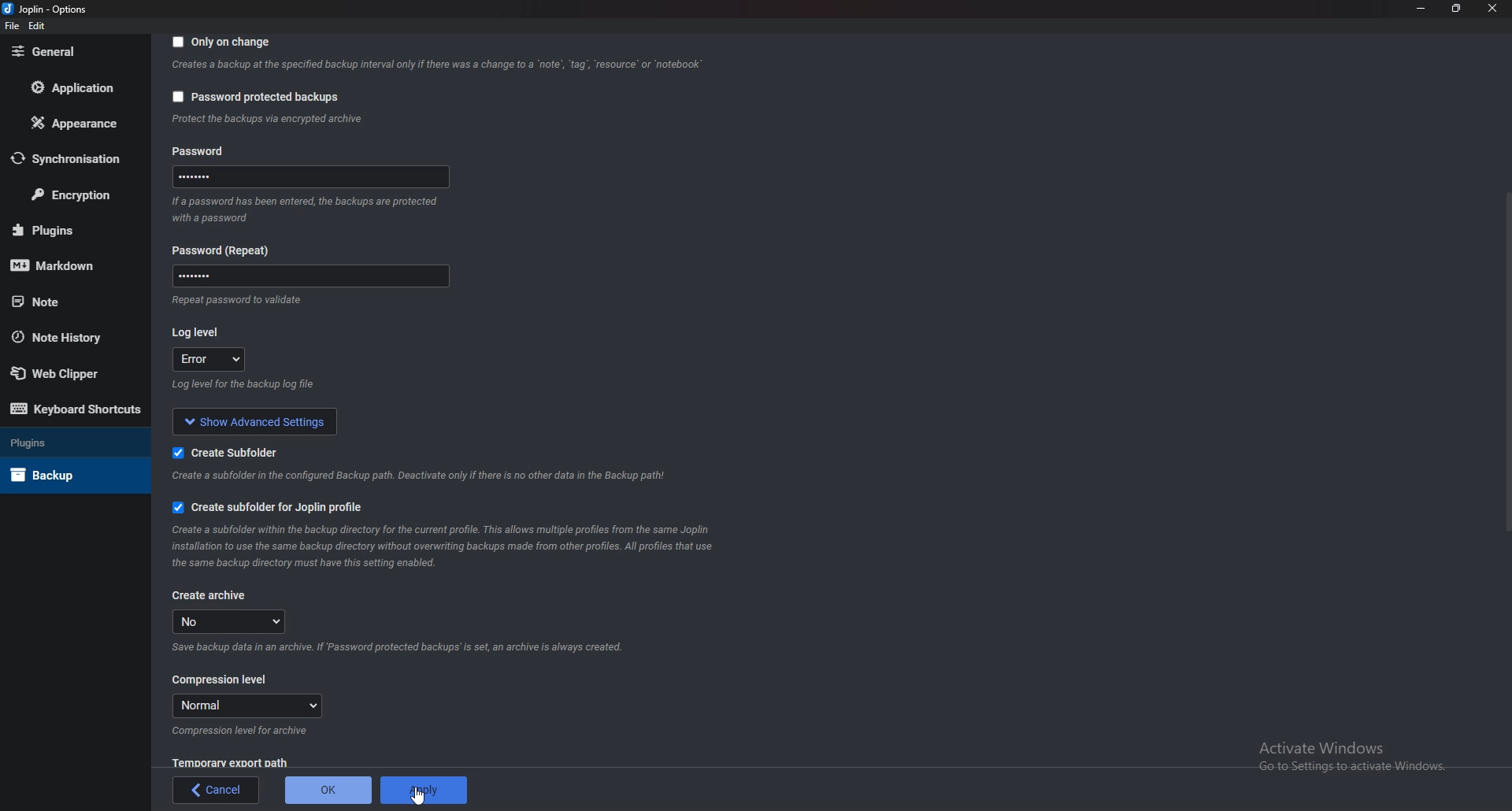 The height and width of the screenshot is (811, 1512). What do you see at coordinates (220, 453) in the screenshot?
I see `create sub folder` at bounding box center [220, 453].